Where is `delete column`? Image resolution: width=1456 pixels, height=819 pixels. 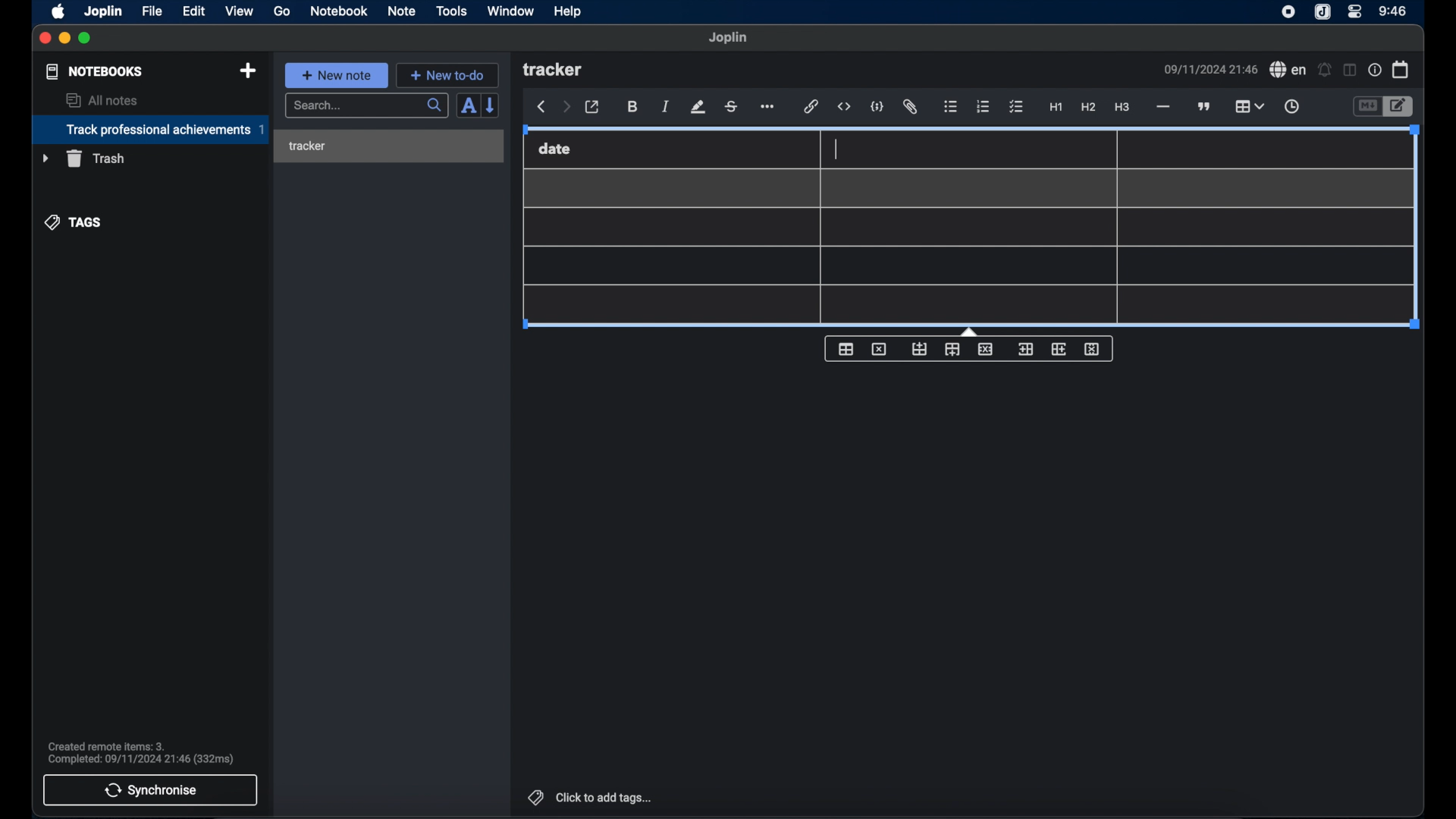 delete column is located at coordinates (1093, 350).